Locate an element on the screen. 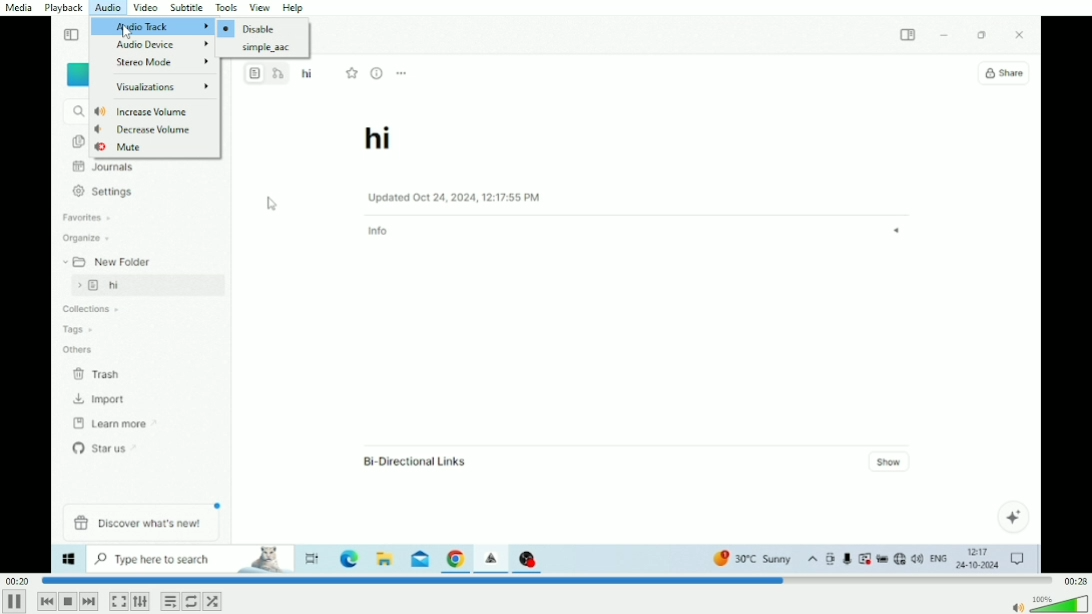 The width and height of the screenshot is (1092, 614). Video is located at coordinates (546, 367).